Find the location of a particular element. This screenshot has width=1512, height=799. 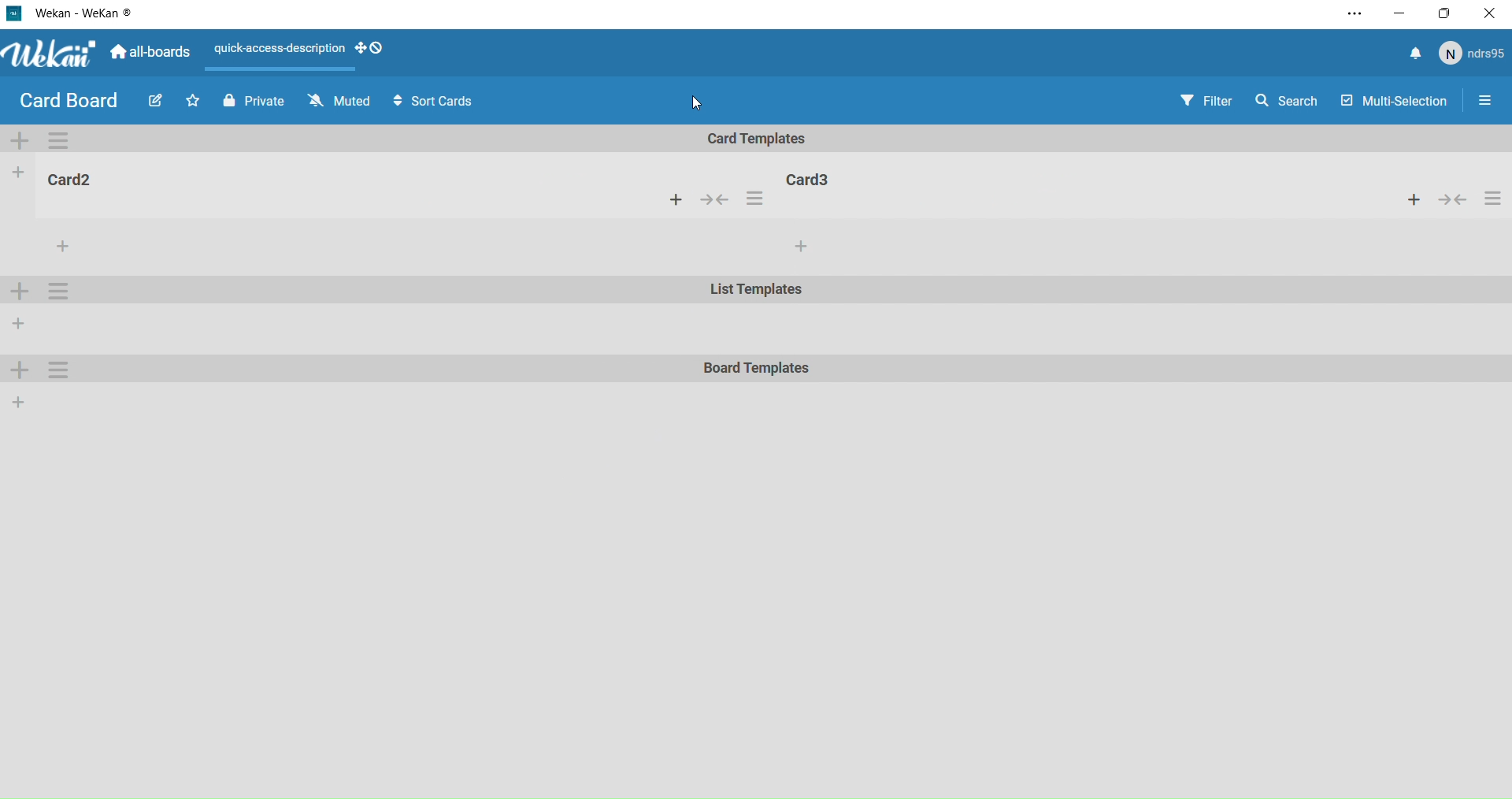

collapse is located at coordinates (716, 202).